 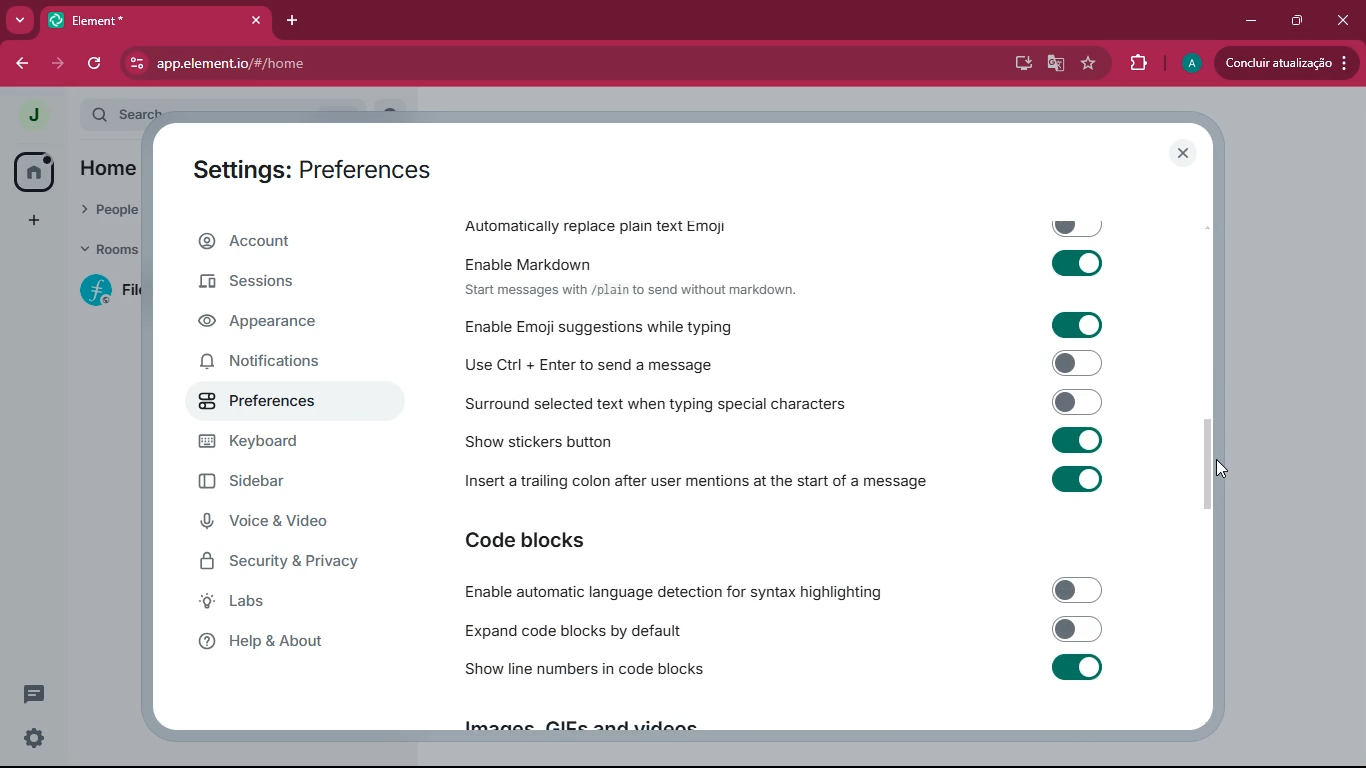 I want to click on messages, so click(x=38, y=694).